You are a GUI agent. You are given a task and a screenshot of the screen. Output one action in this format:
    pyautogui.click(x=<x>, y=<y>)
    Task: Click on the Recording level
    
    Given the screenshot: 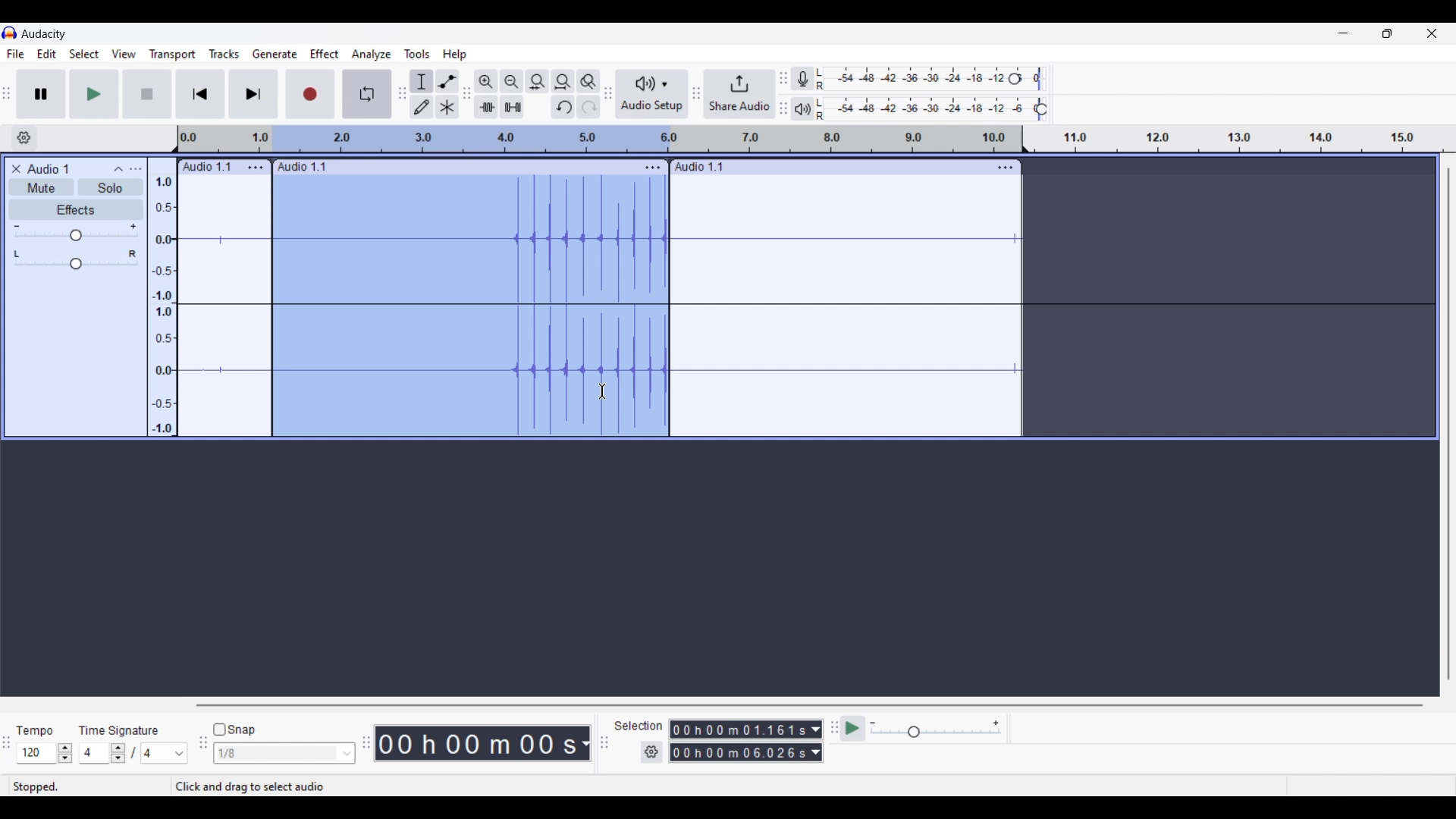 What is the action you would take?
    pyautogui.click(x=914, y=79)
    